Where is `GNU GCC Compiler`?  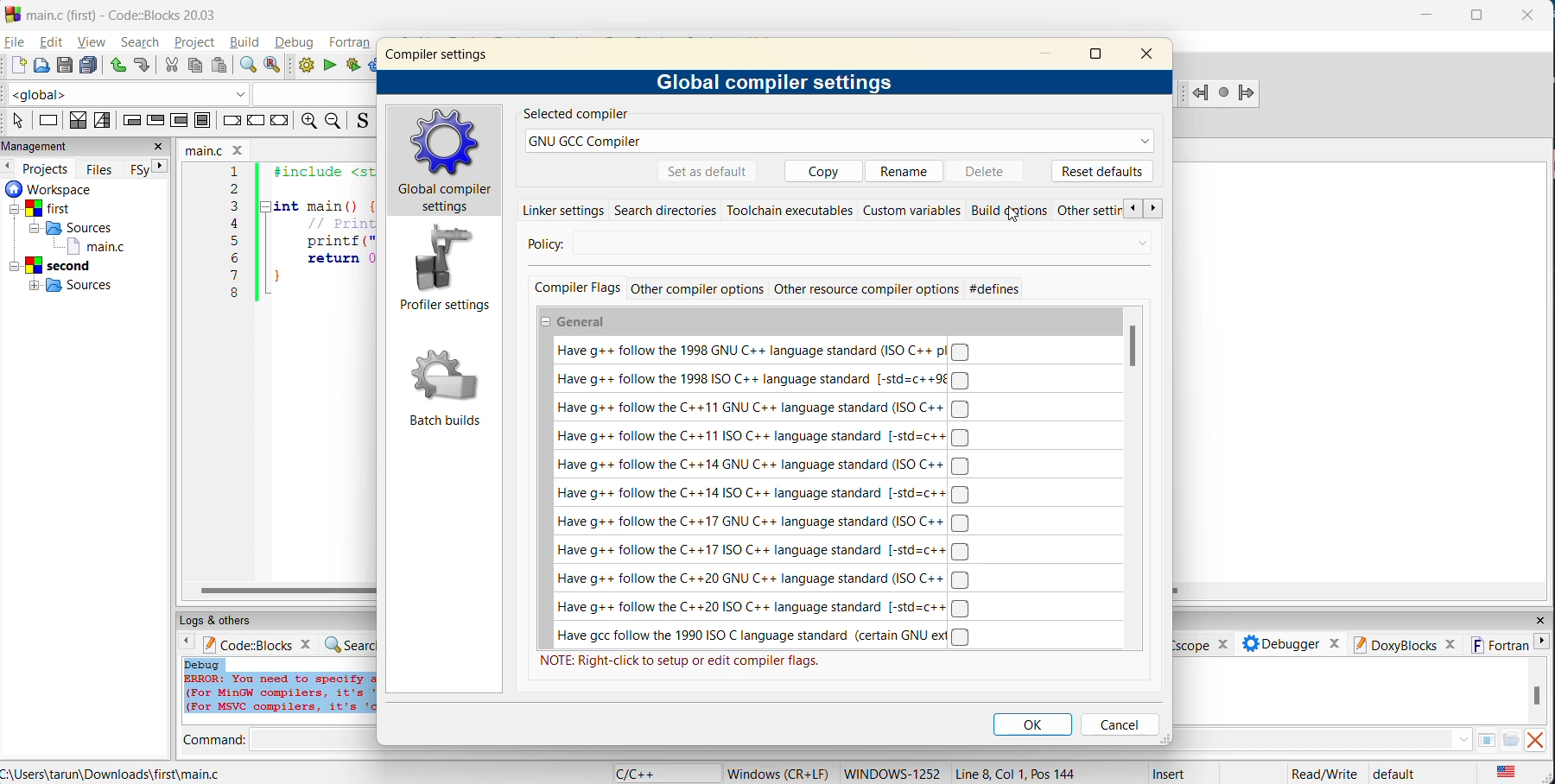 GNU GCC Compiler is located at coordinates (839, 141).